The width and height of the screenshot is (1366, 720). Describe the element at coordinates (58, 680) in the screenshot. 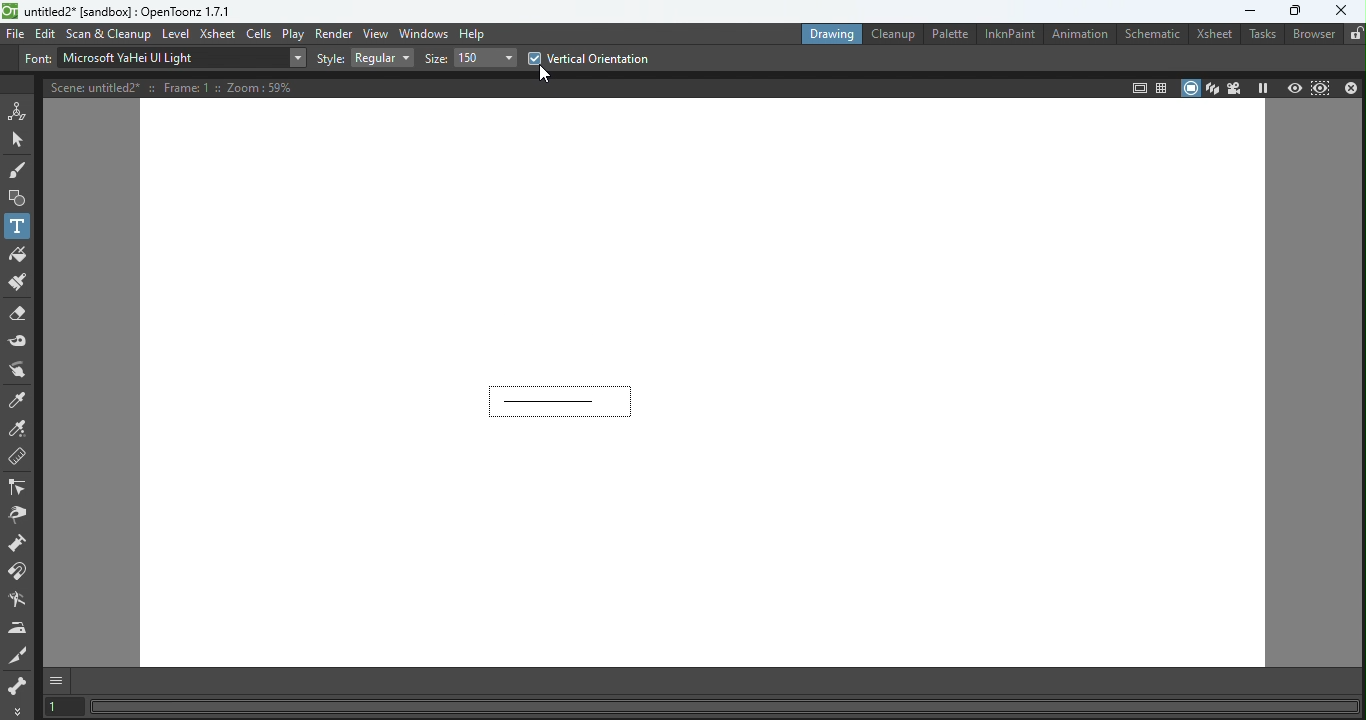

I see `GUI Show/Hide` at that location.